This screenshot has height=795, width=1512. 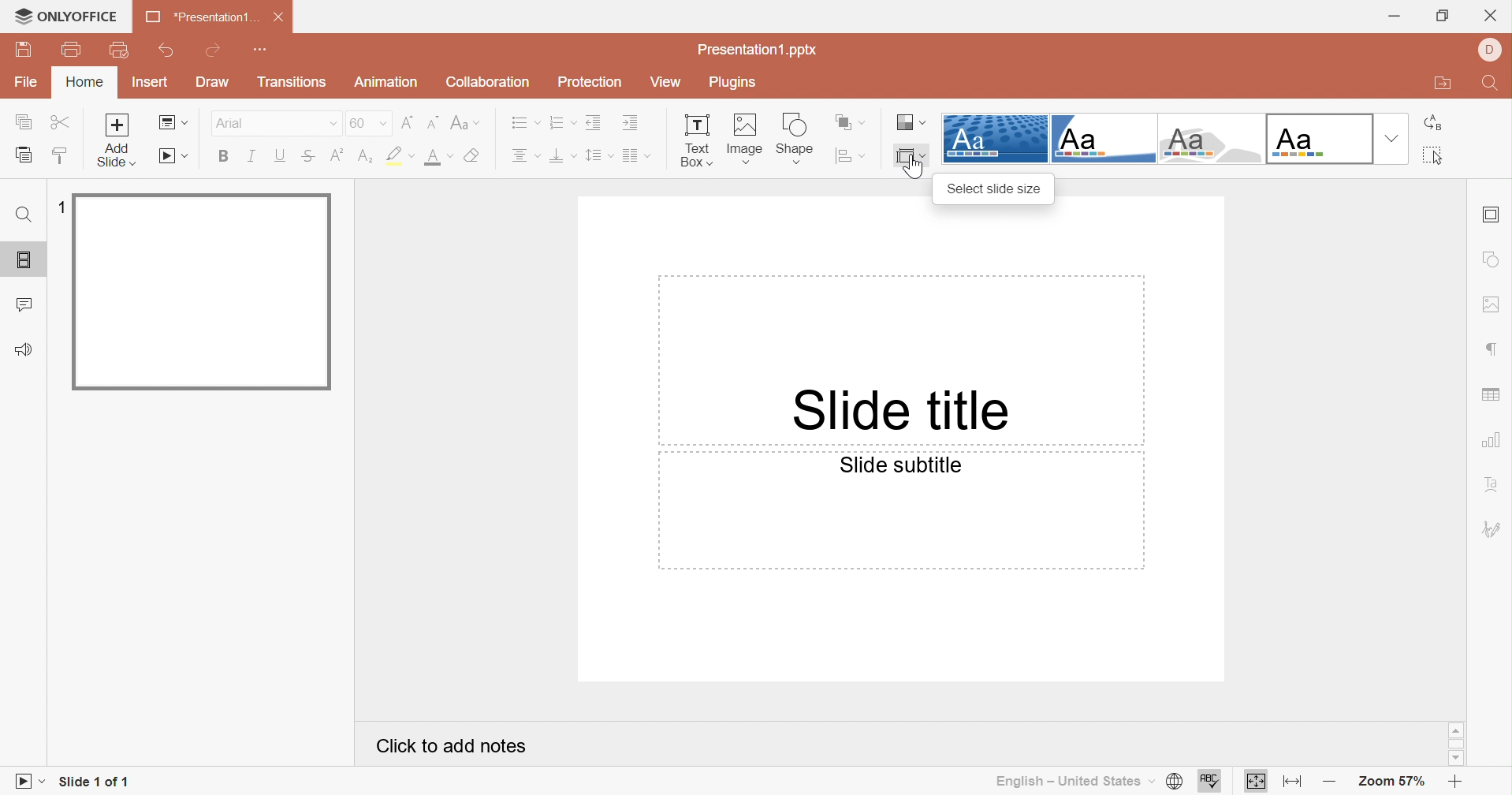 I want to click on Chart settings, so click(x=1494, y=439).